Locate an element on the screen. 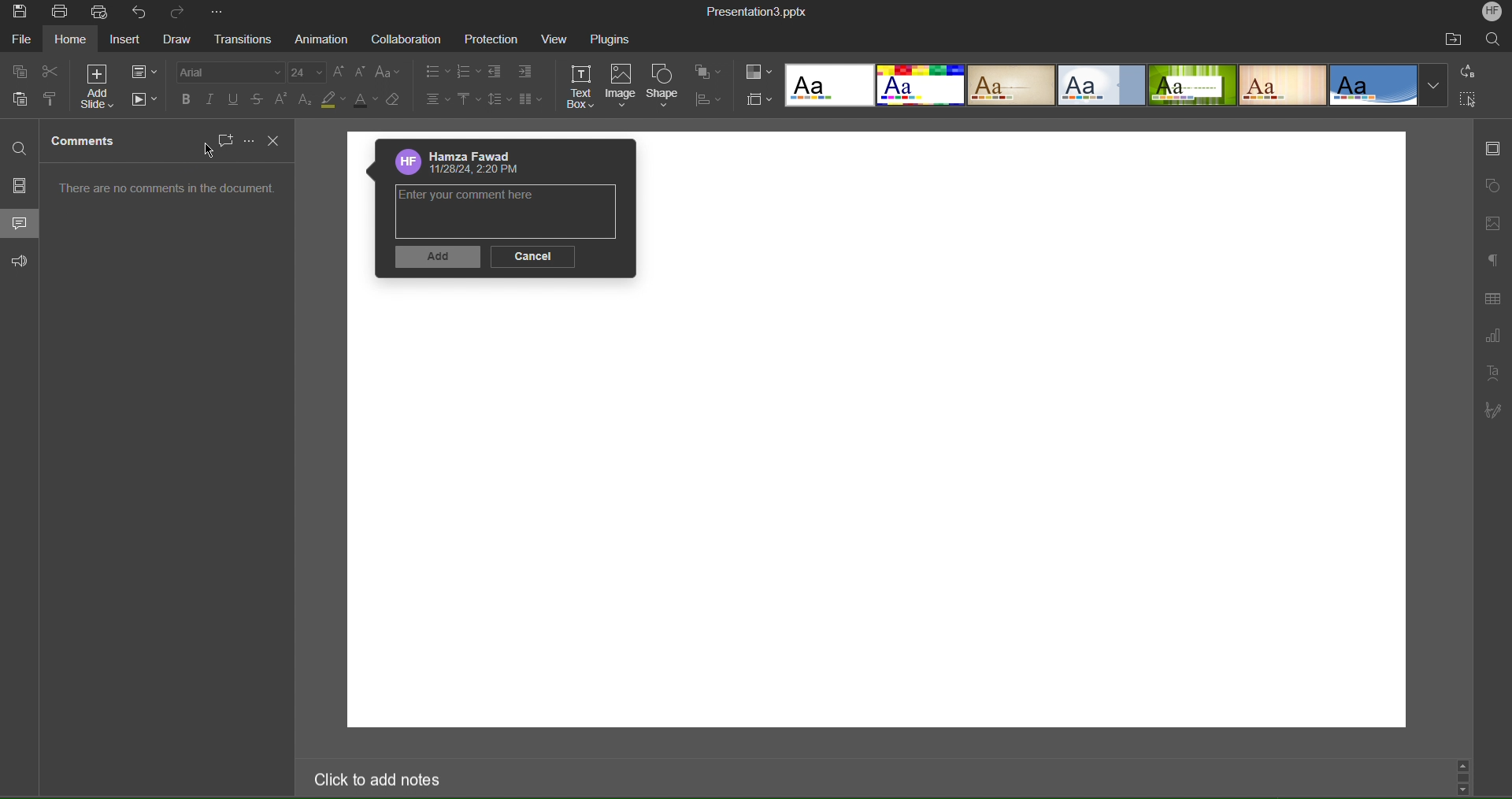 Image resolution: width=1512 pixels, height=799 pixels. Click to add notes is located at coordinates (372, 779).